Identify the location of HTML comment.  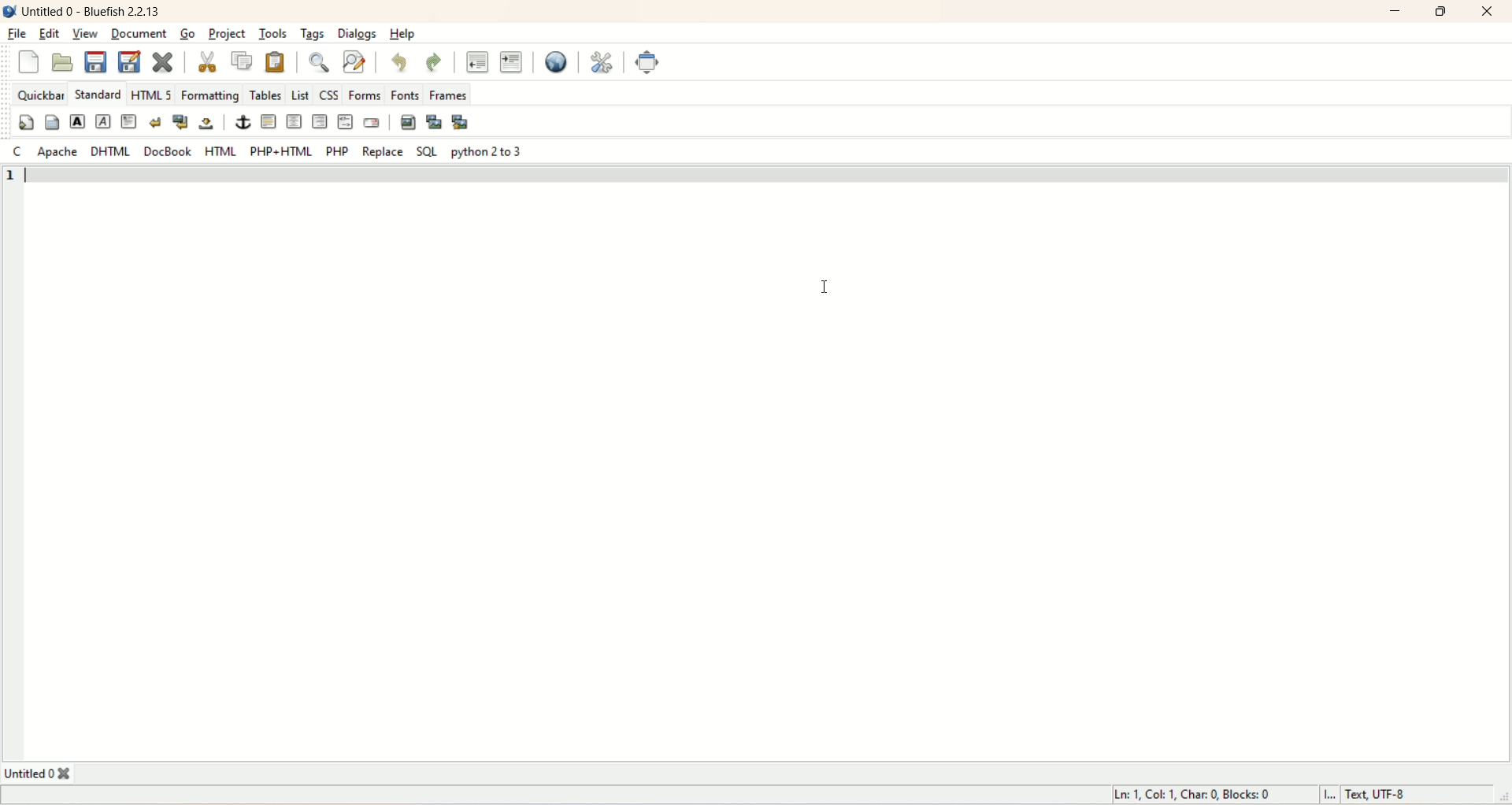
(343, 122).